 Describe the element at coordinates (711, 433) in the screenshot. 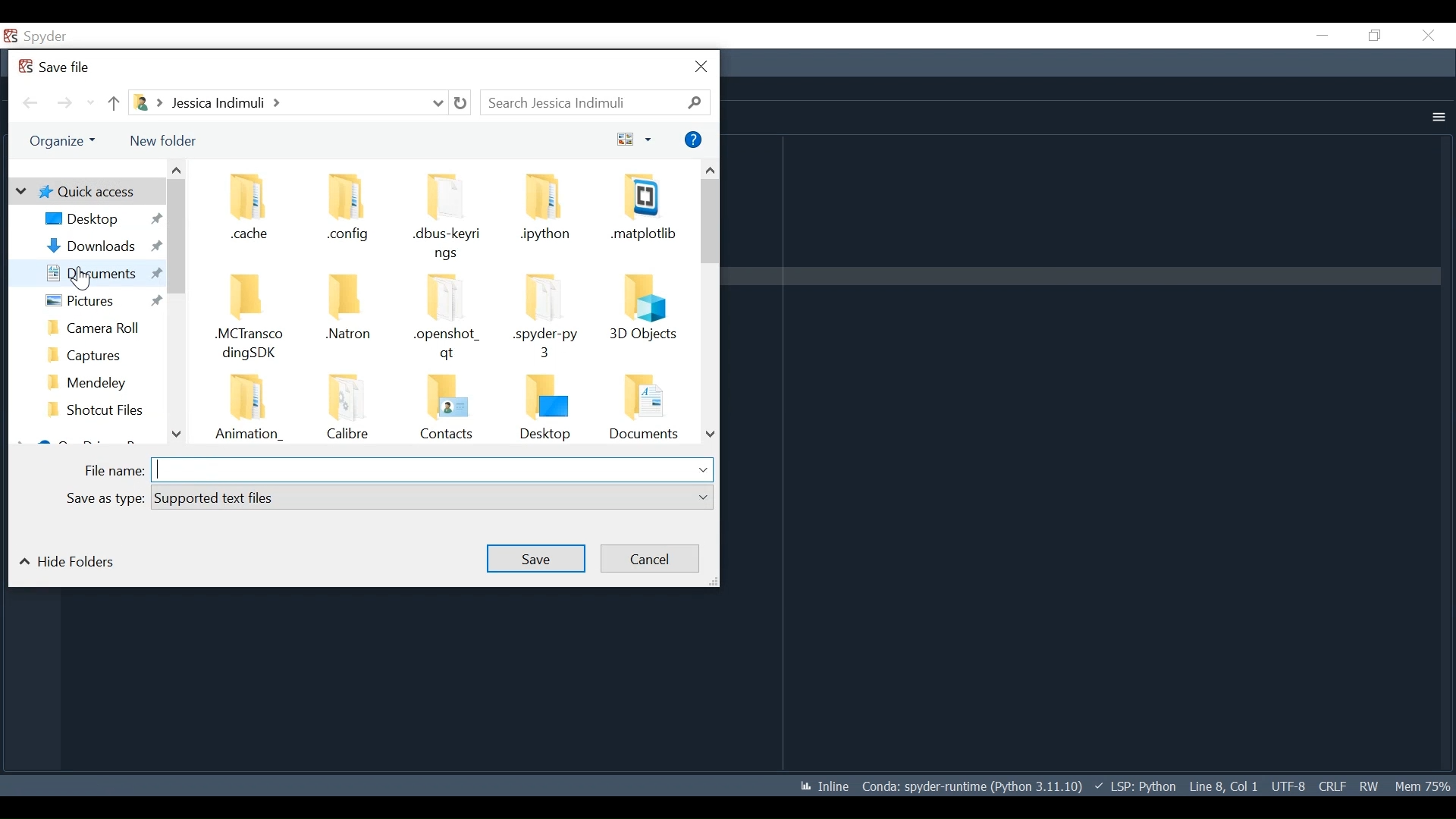

I see `Scroll down` at that location.